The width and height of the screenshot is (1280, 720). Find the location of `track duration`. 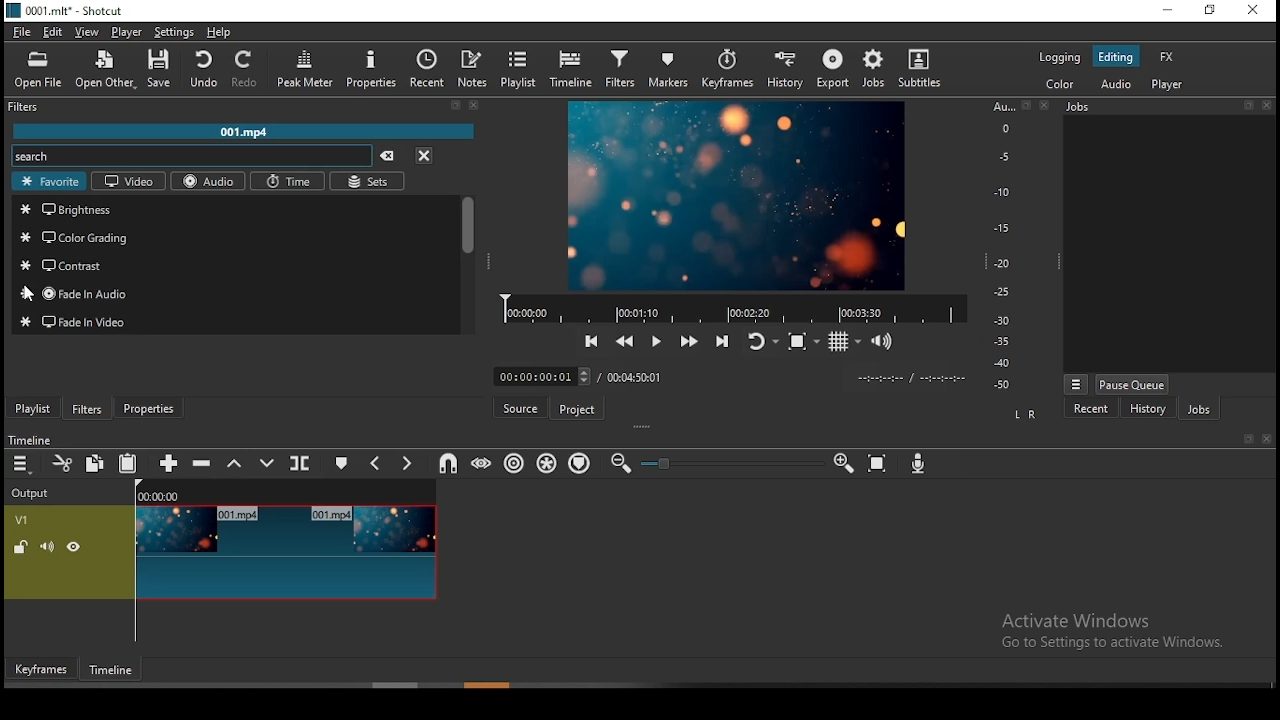

track duration is located at coordinates (635, 377).